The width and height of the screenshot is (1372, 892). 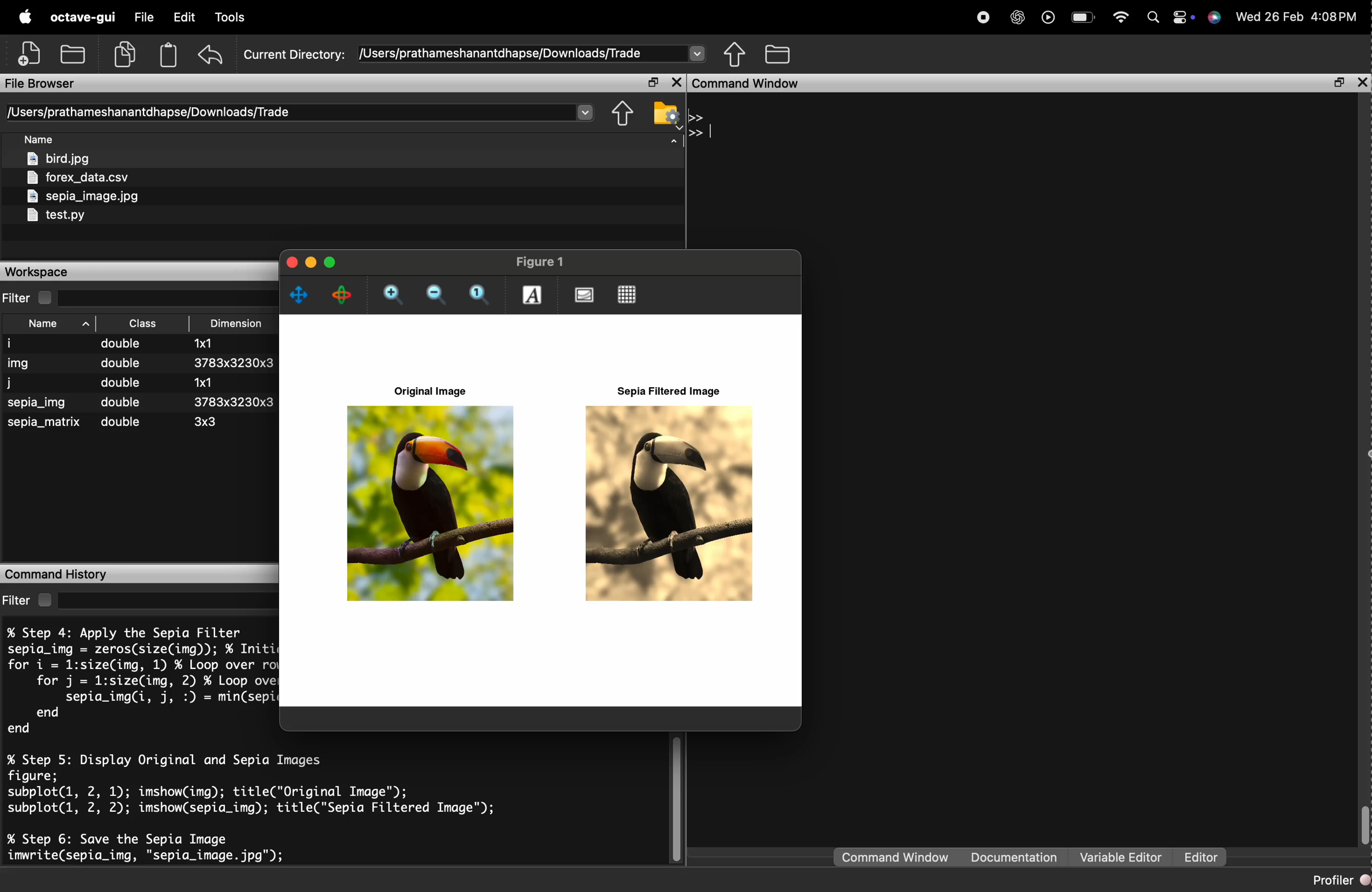 What do you see at coordinates (145, 18) in the screenshot?
I see `File` at bounding box center [145, 18].